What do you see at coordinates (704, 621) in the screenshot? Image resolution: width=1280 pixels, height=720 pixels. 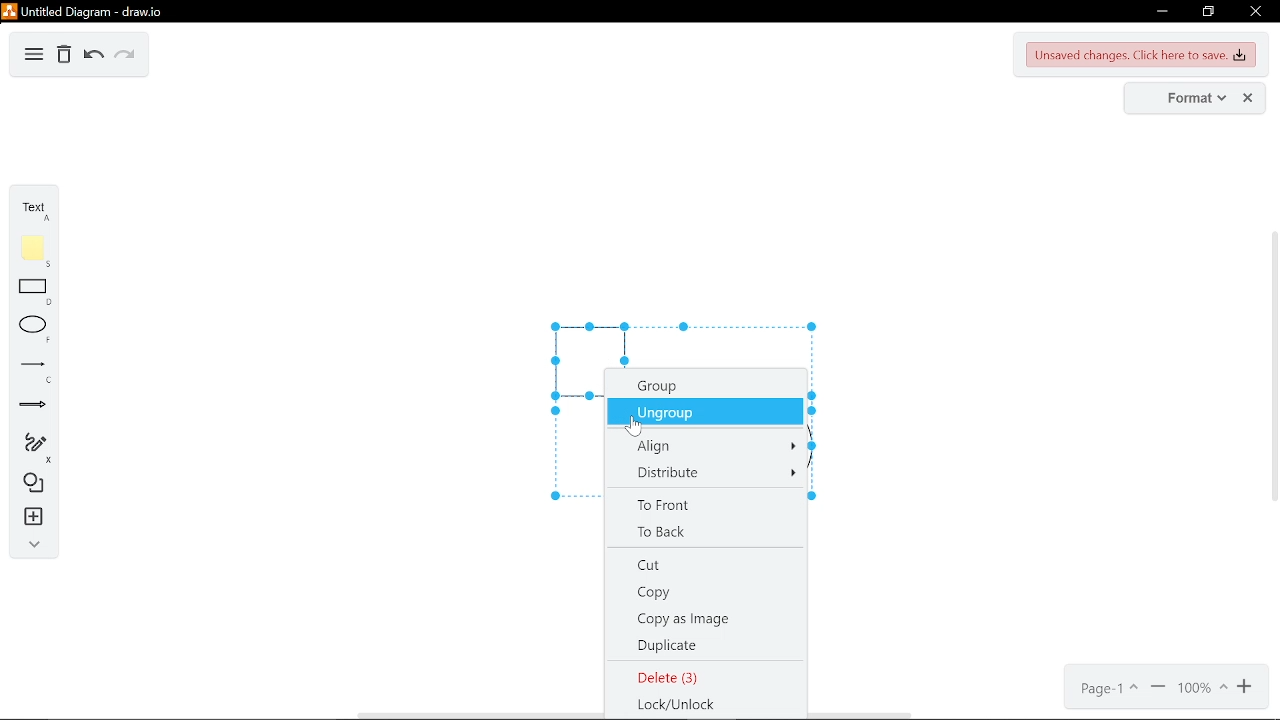 I see `copy as image` at bounding box center [704, 621].